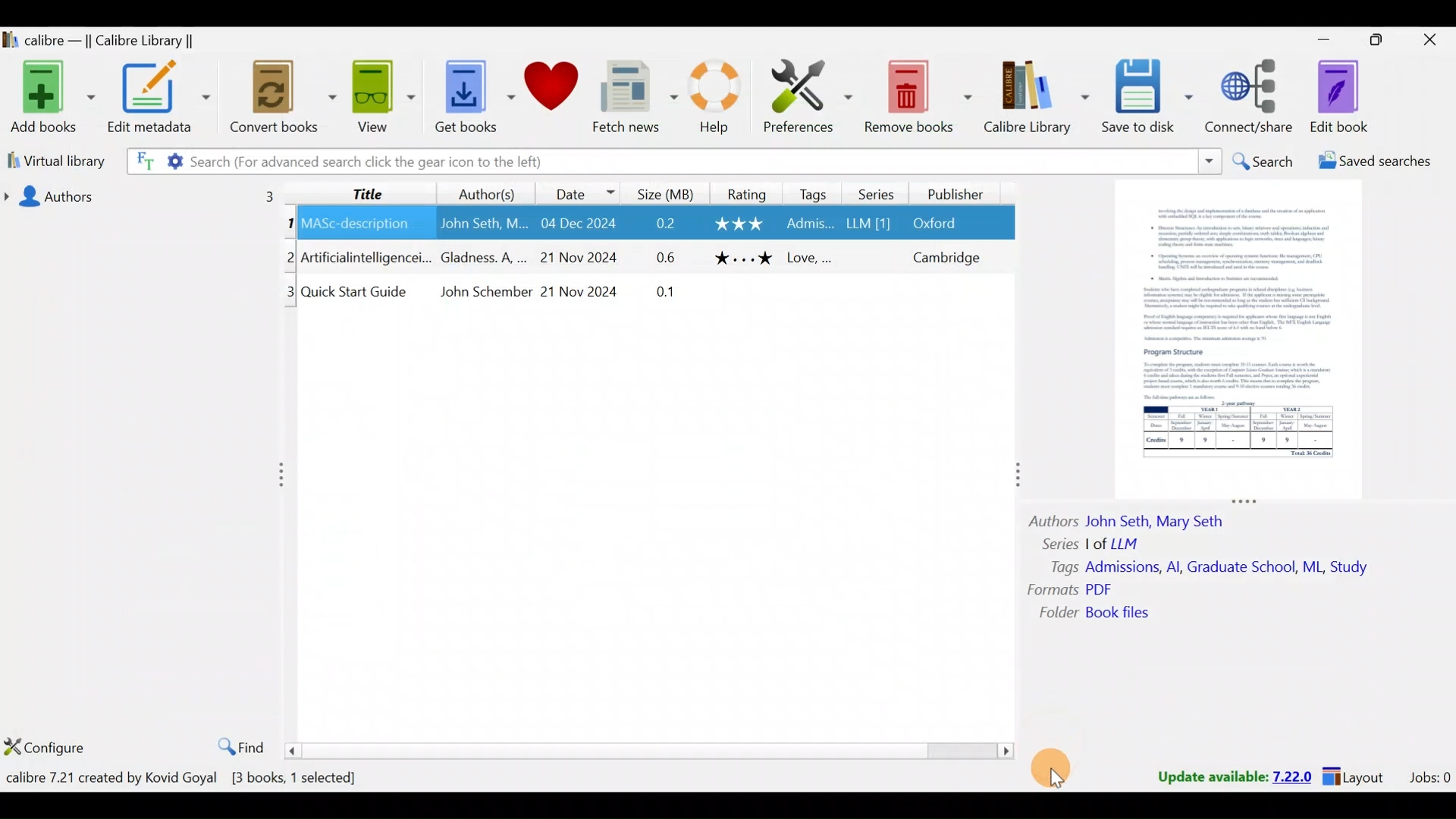 The image size is (1456, 819). What do you see at coordinates (1150, 96) in the screenshot?
I see `Save to disk` at bounding box center [1150, 96].